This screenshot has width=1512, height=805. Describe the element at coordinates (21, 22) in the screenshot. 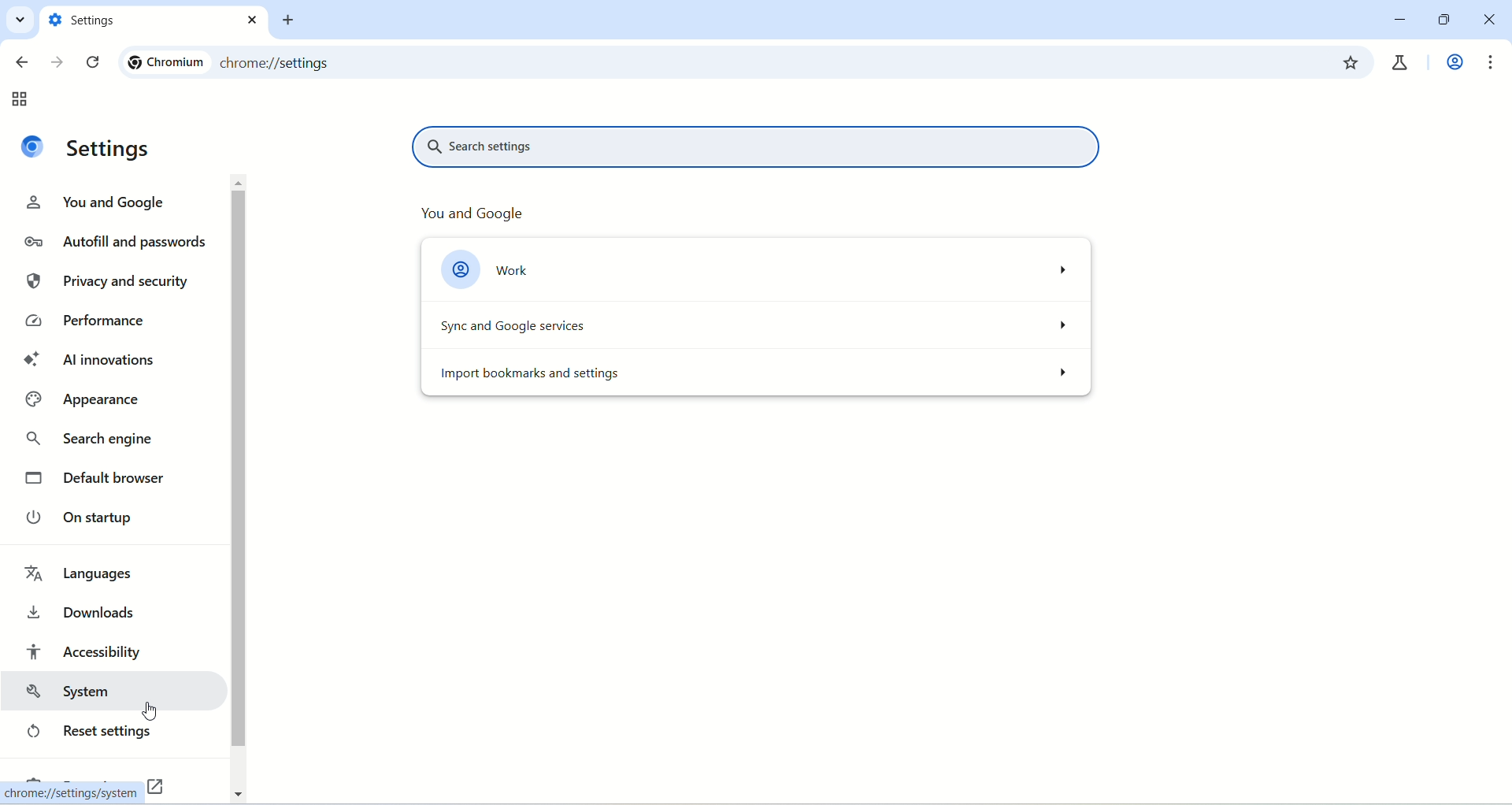

I see `search tabs` at that location.